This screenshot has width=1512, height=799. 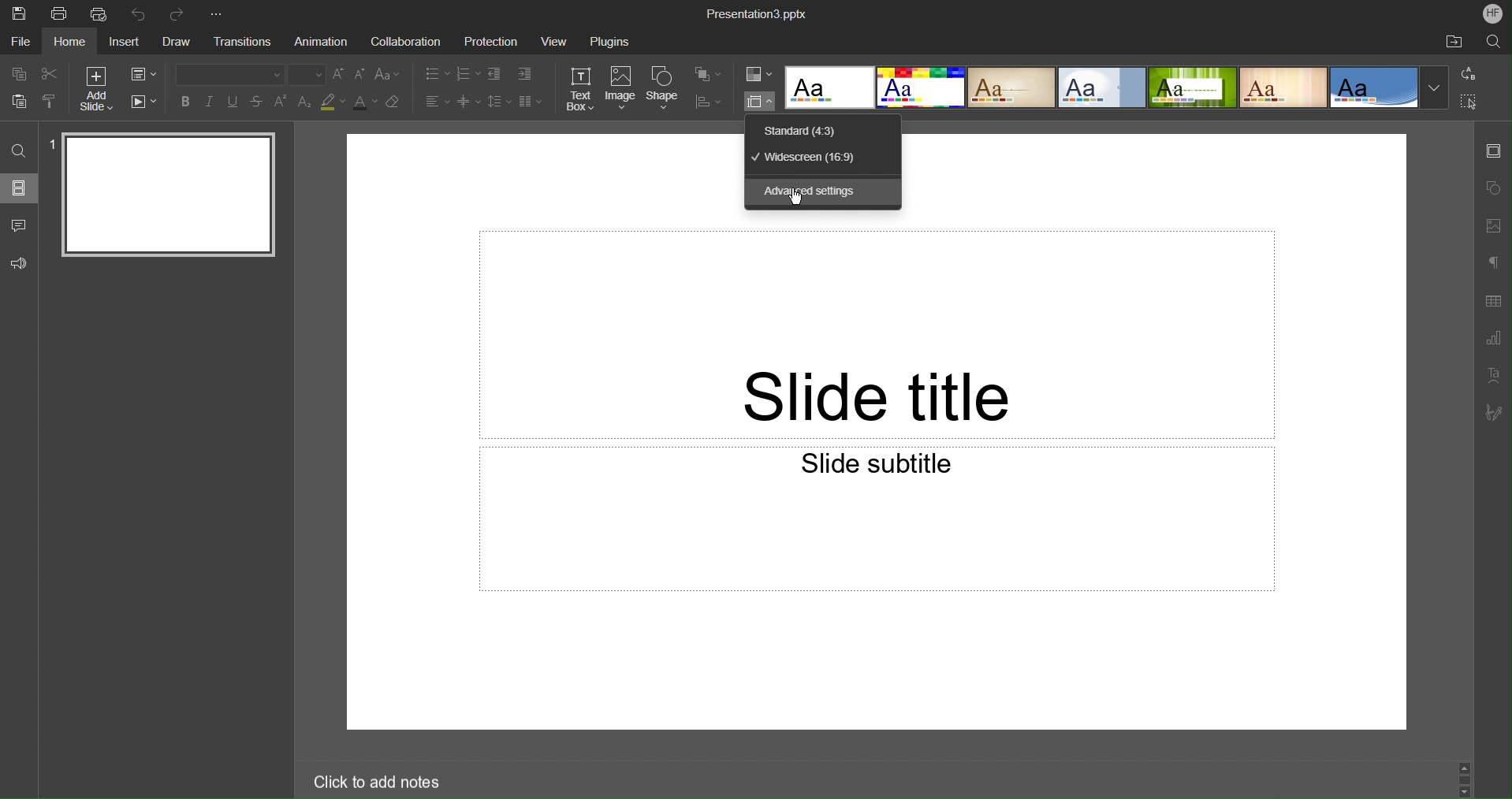 What do you see at coordinates (220, 11) in the screenshot?
I see `More` at bounding box center [220, 11].